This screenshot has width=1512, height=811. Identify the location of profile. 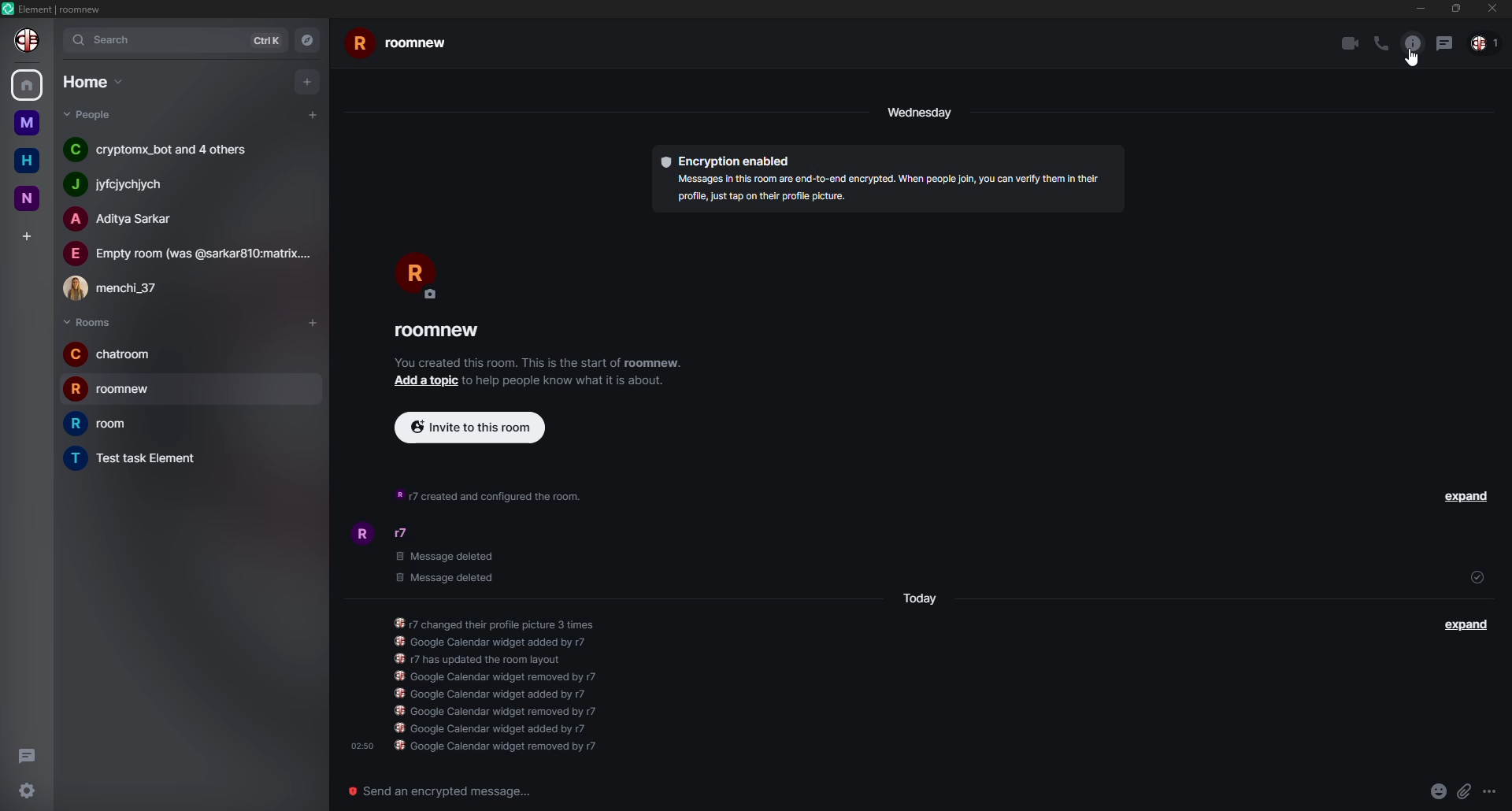
(361, 531).